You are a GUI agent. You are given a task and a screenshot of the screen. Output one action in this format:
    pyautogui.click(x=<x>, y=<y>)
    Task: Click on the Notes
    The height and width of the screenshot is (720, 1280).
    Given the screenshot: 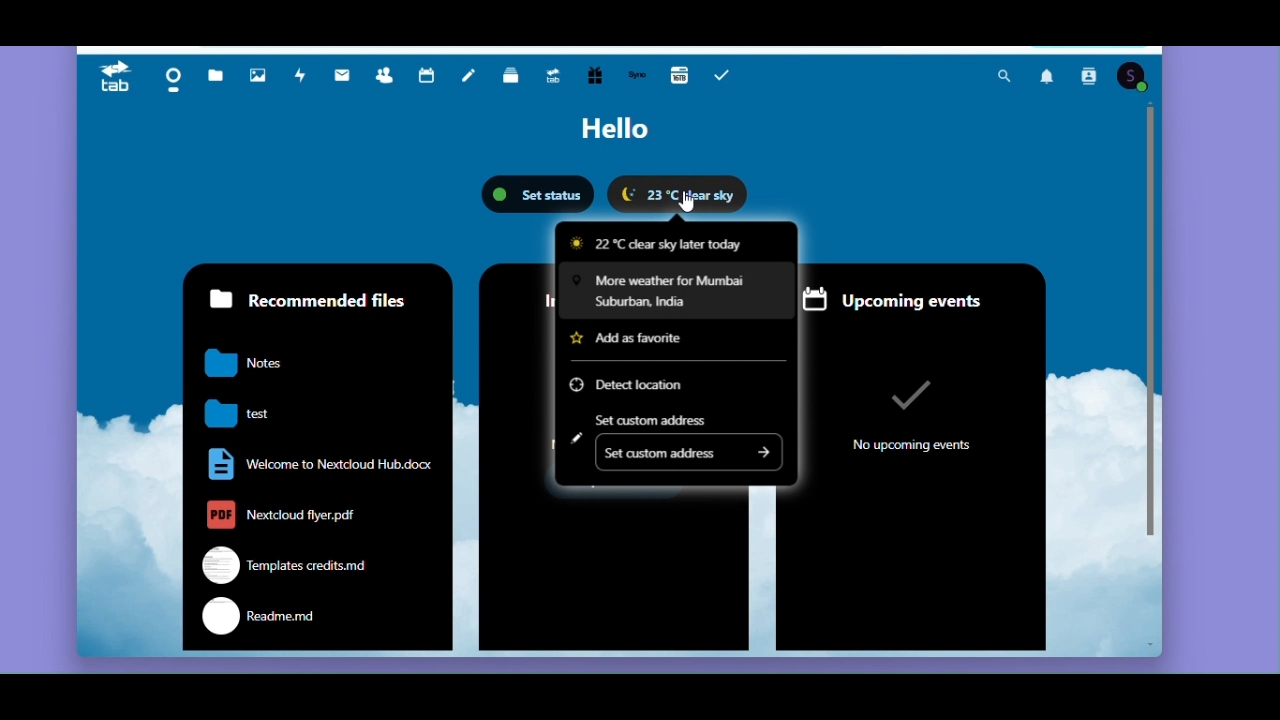 What is the action you would take?
    pyautogui.click(x=472, y=77)
    